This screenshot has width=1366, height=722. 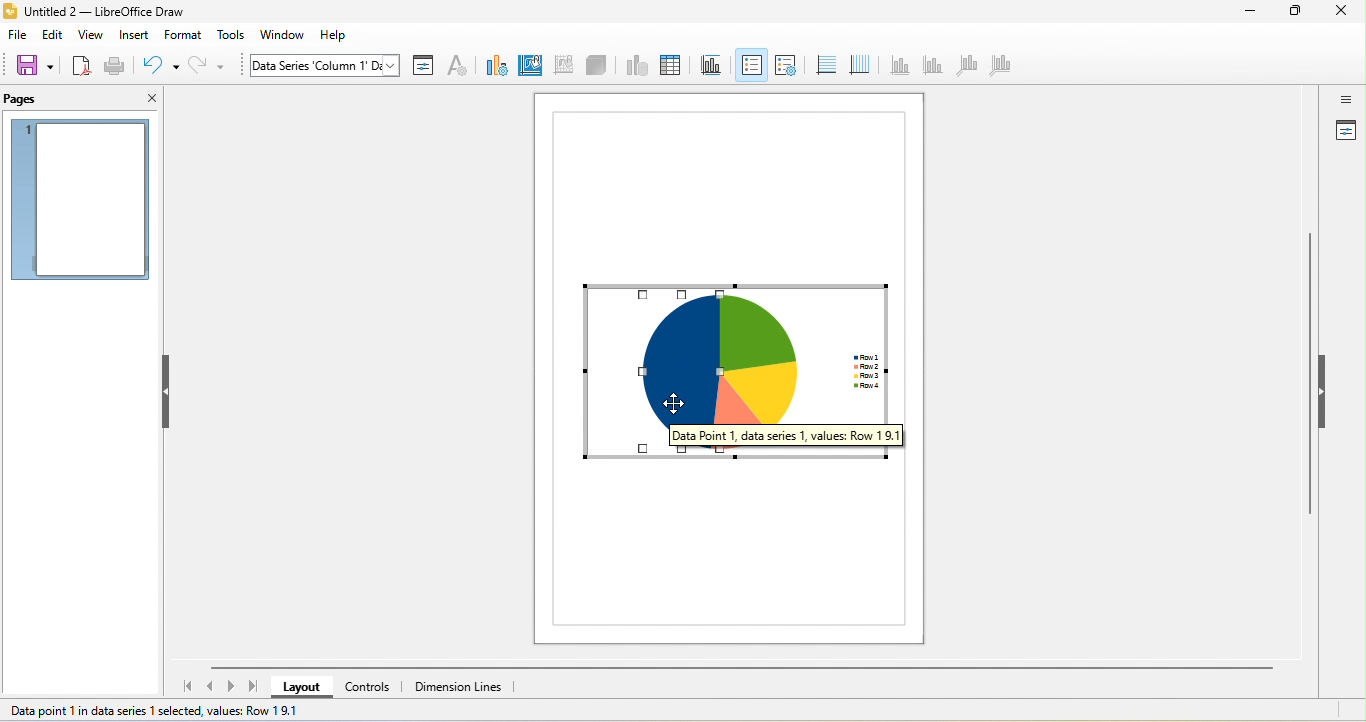 I want to click on redo, so click(x=210, y=66).